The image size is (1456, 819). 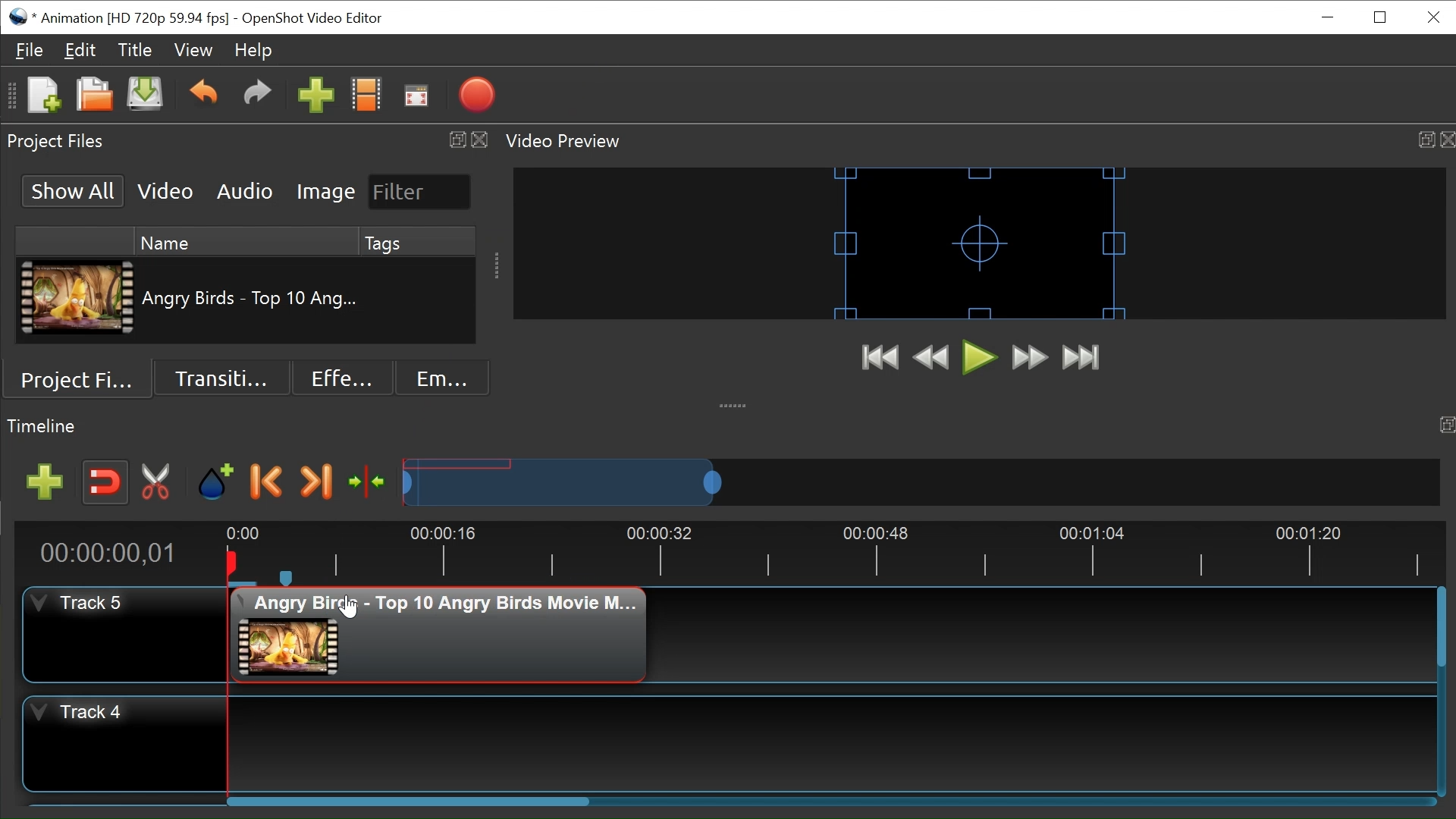 What do you see at coordinates (443, 378) in the screenshot?
I see `Emoji` at bounding box center [443, 378].